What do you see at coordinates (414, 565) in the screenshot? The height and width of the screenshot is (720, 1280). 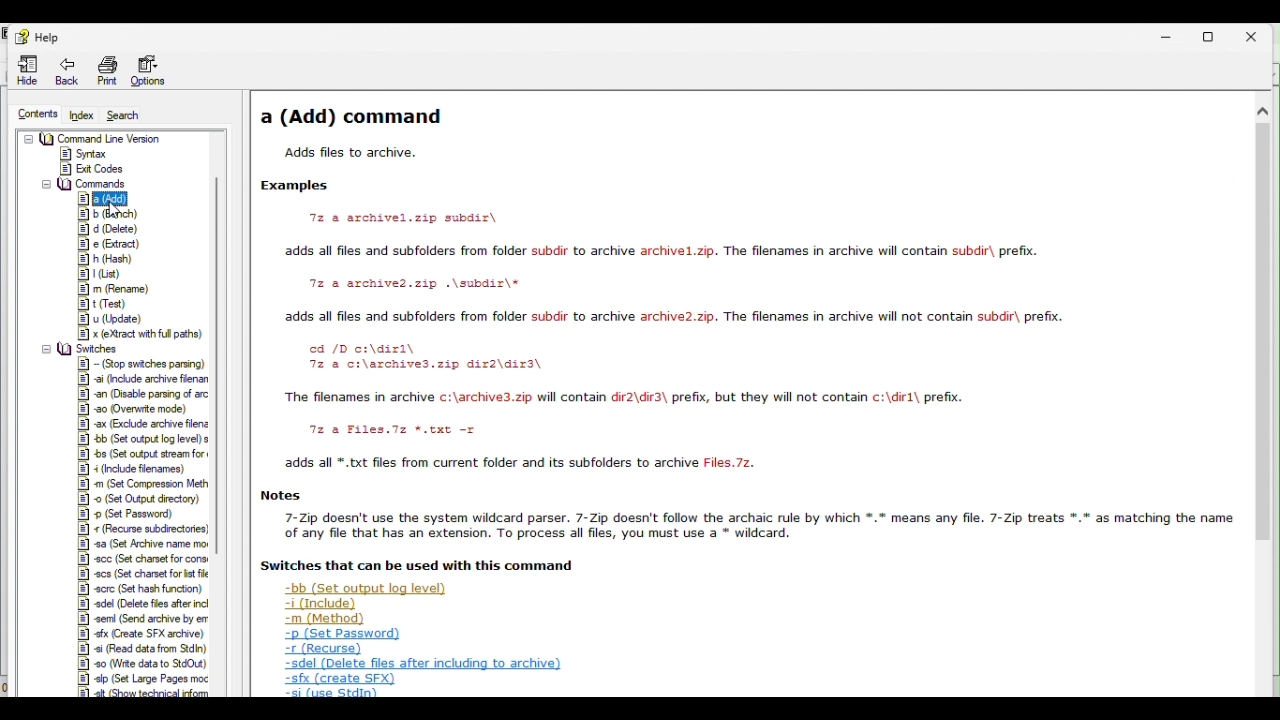 I see `text` at bounding box center [414, 565].